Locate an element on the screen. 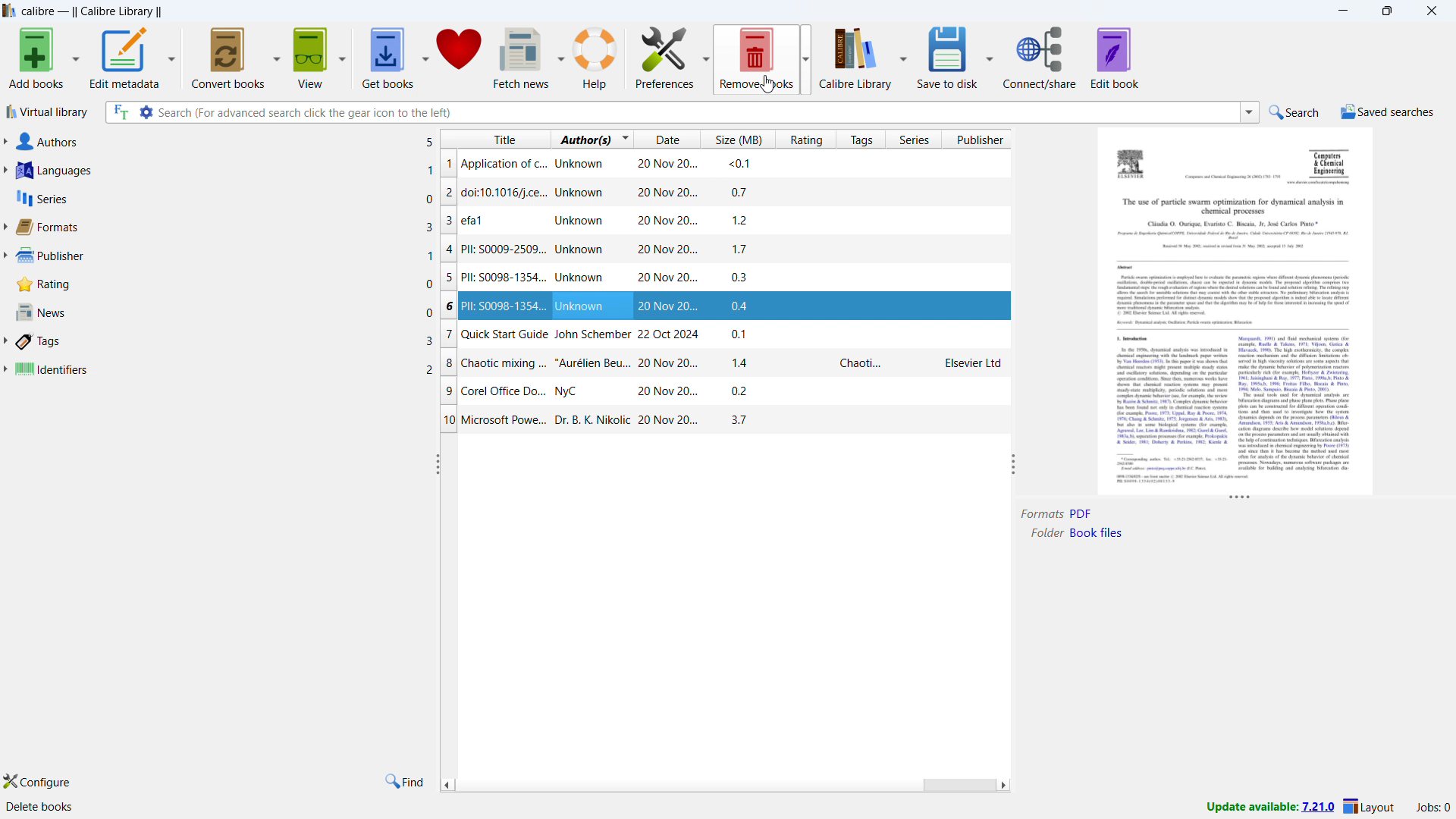  calibre library is located at coordinates (856, 56).